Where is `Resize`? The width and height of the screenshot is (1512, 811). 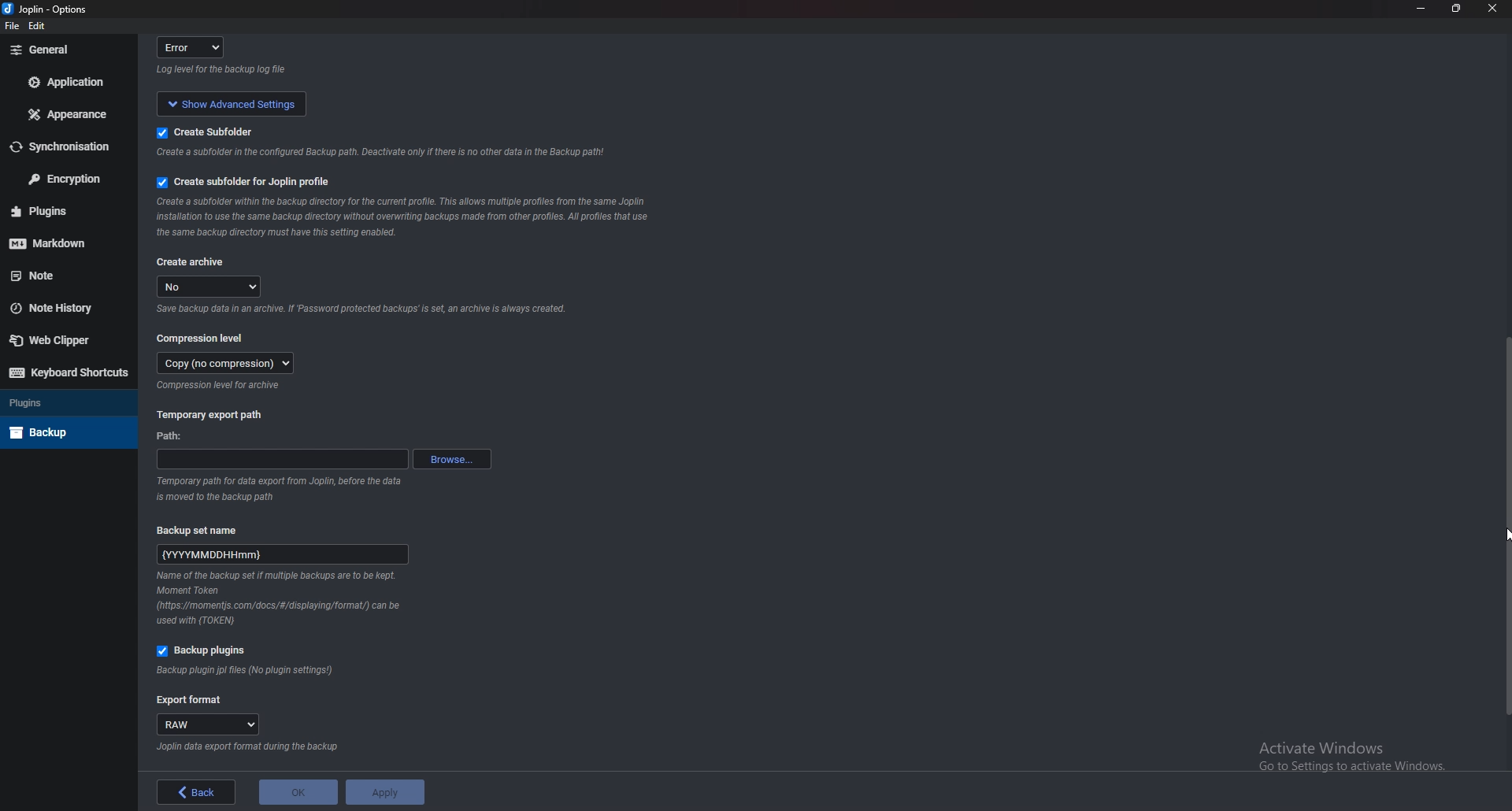
Resize is located at coordinates (1458, 9).